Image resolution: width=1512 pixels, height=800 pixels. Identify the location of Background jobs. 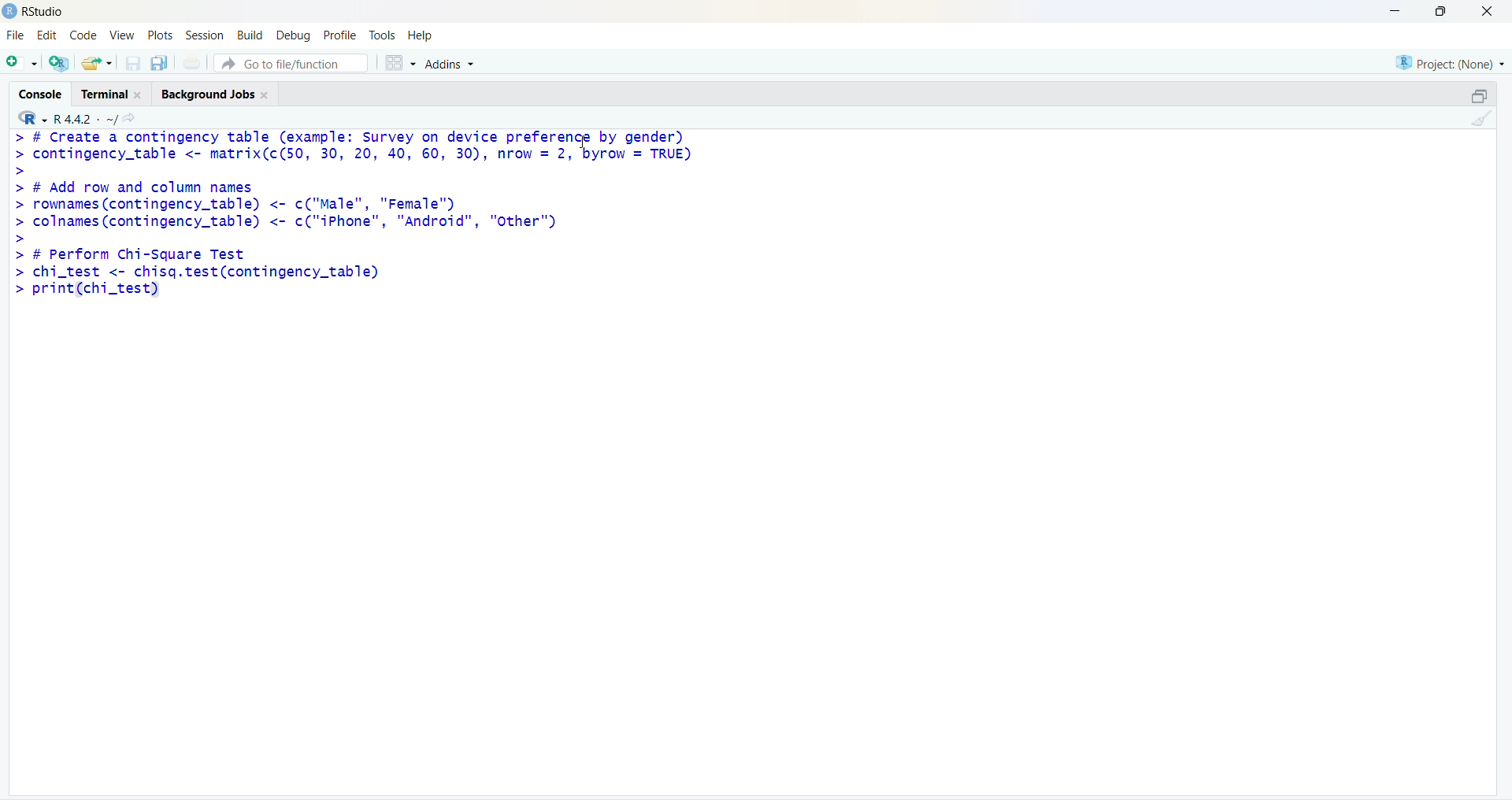
(208, 95).